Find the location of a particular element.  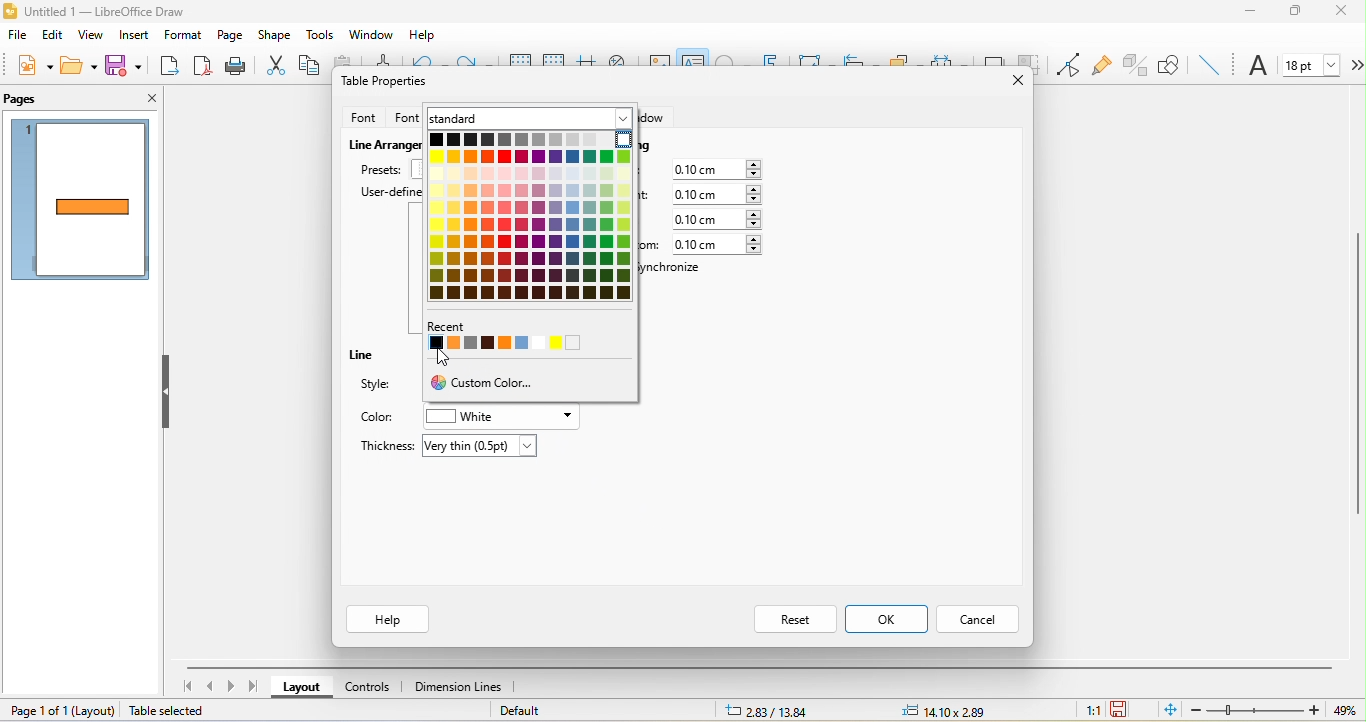

open is located at coordinates (82, 66).